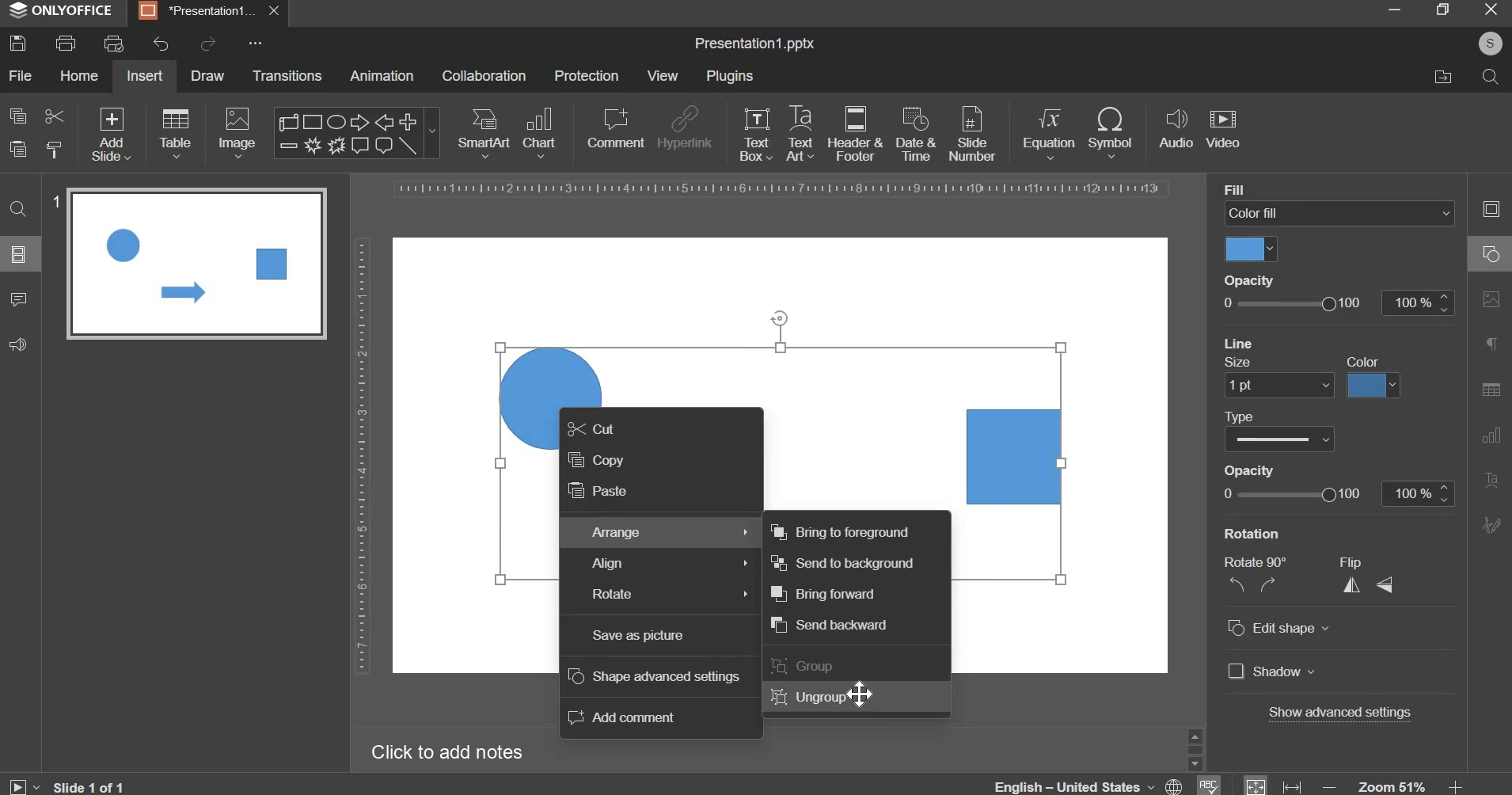 The height and width of the screenshot is (795, 1512). I want to click on protection, so click(587, 75).